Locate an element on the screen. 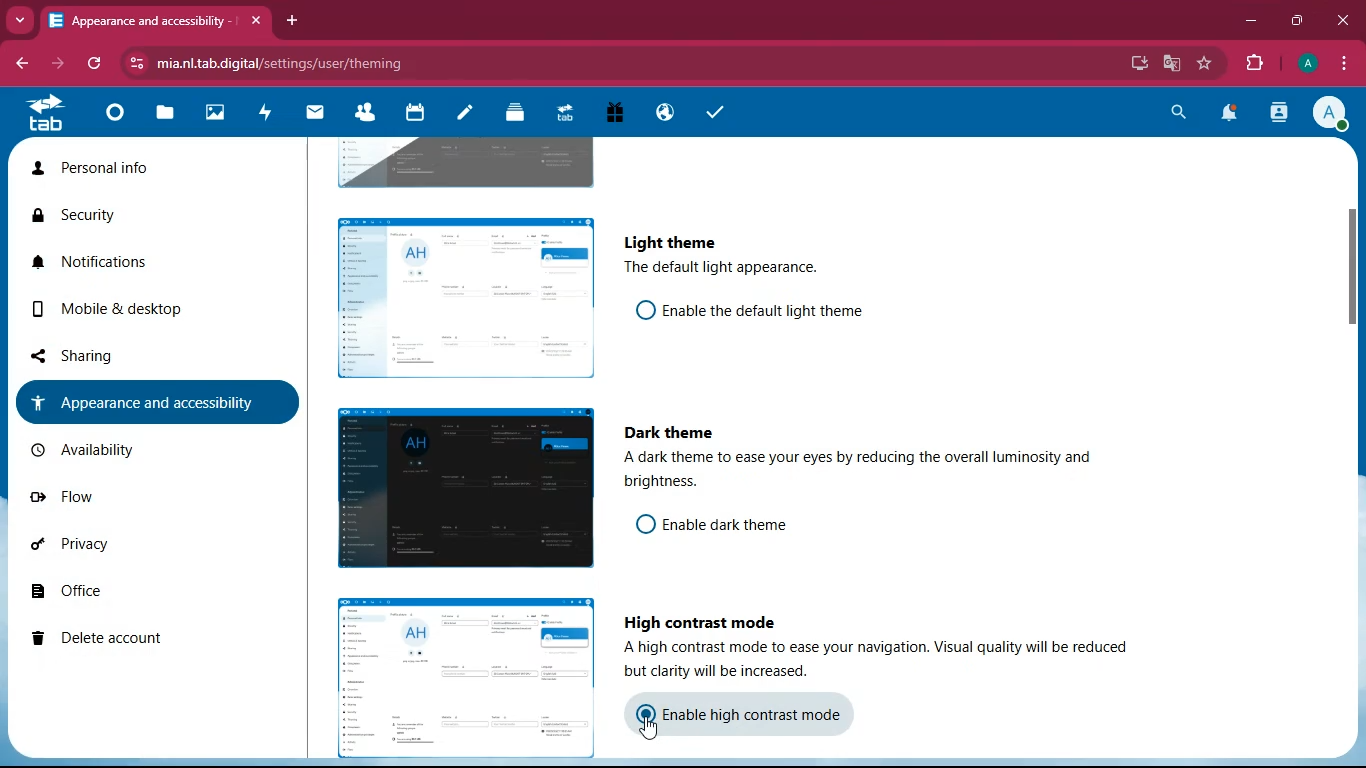  description is located at coordinates (884, 473).